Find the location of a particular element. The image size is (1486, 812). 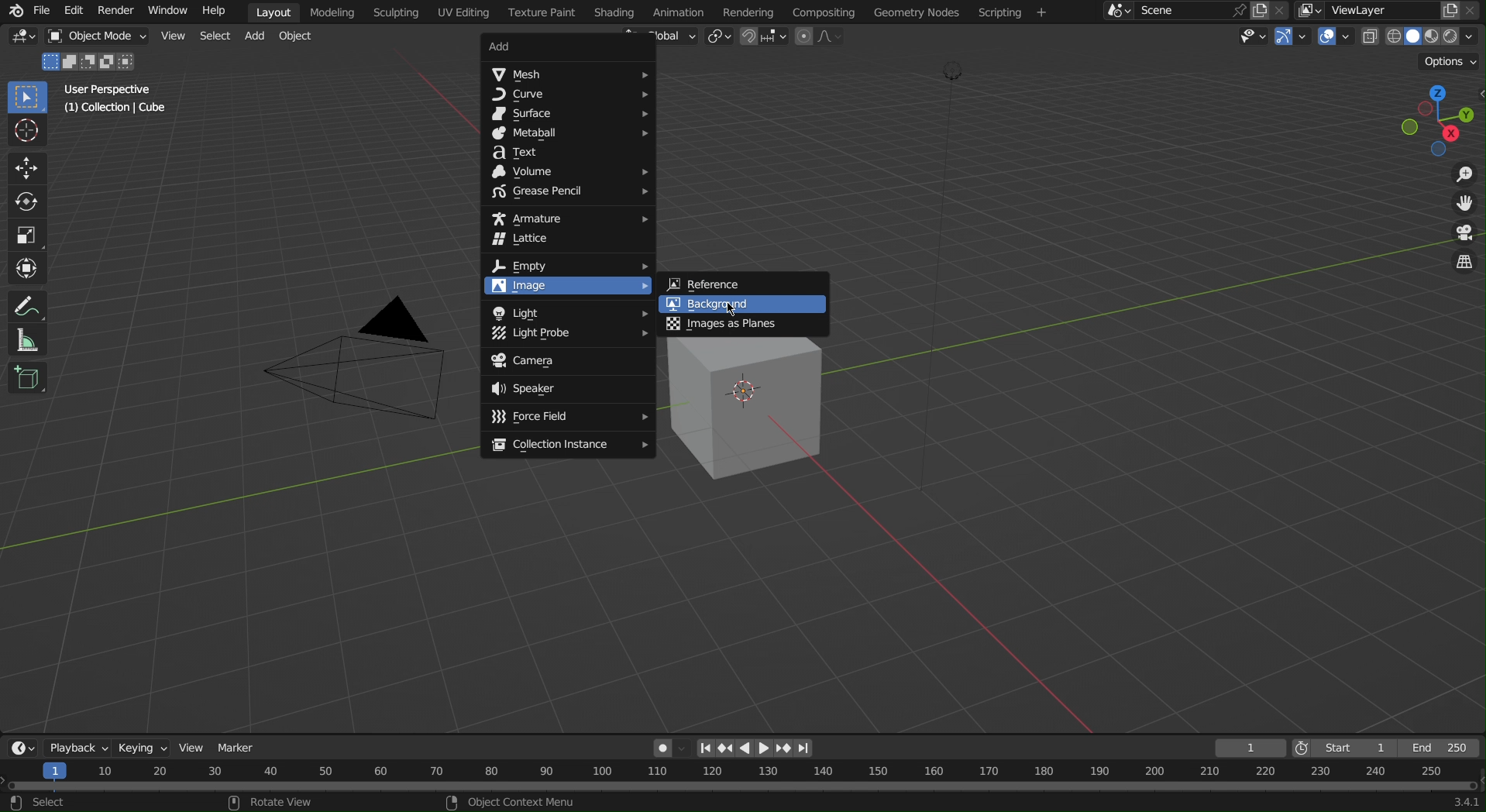

Background  is located at coordinates (746, 304).